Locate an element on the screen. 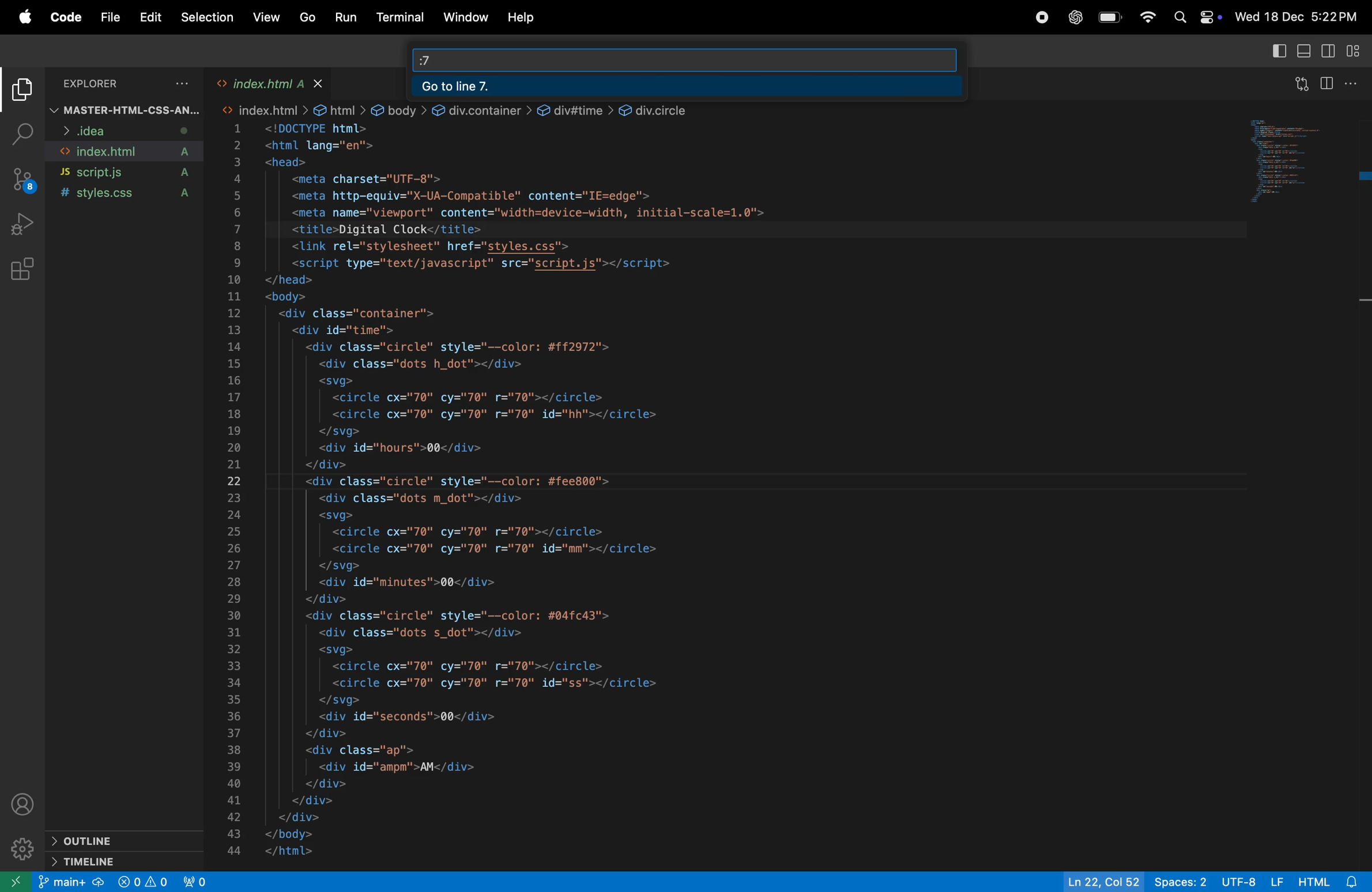 Image resolution: width=1372 pixels, height=892 pixels. view is located at coordinates (267, 19).